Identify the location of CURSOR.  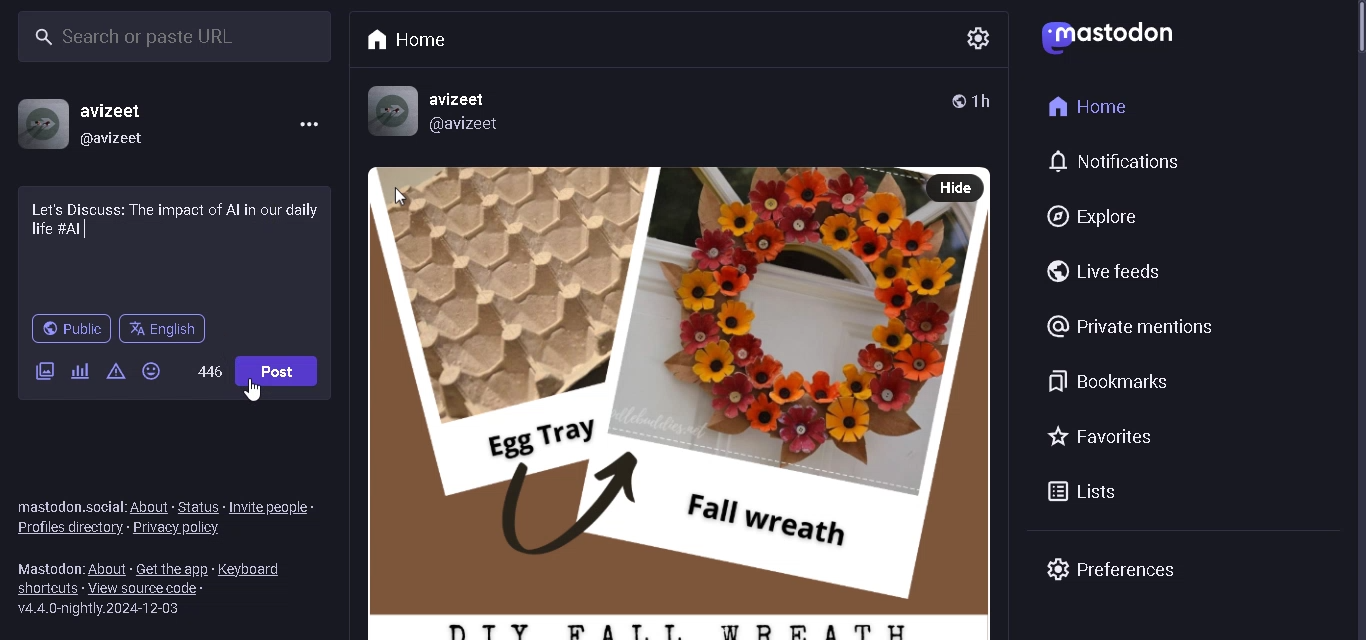
(250, 395).